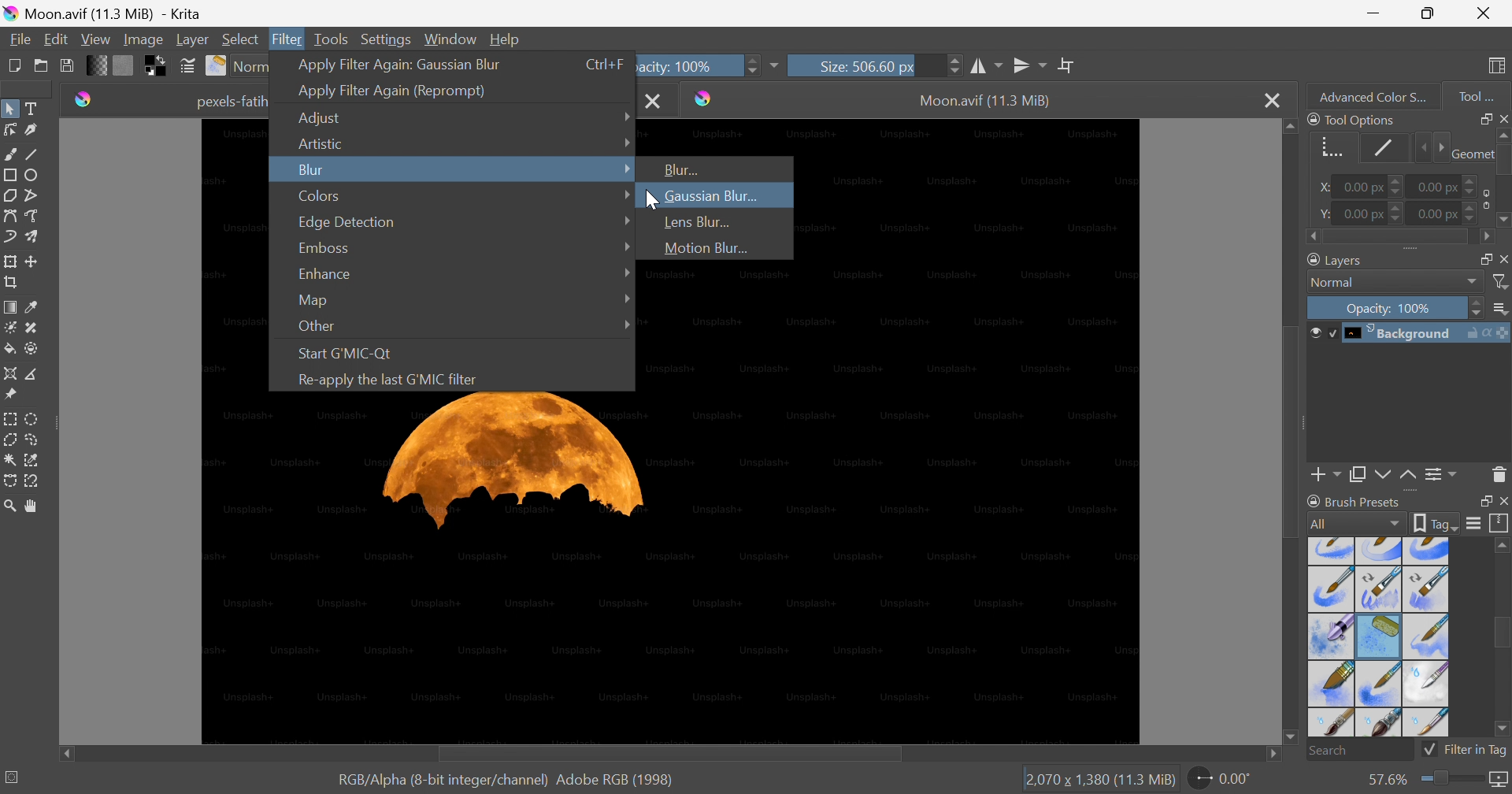 The image size is (1512, 794). Describe the element at coordinates (34, 236) in the screenshot. I see `Multibrush tool` at that location.